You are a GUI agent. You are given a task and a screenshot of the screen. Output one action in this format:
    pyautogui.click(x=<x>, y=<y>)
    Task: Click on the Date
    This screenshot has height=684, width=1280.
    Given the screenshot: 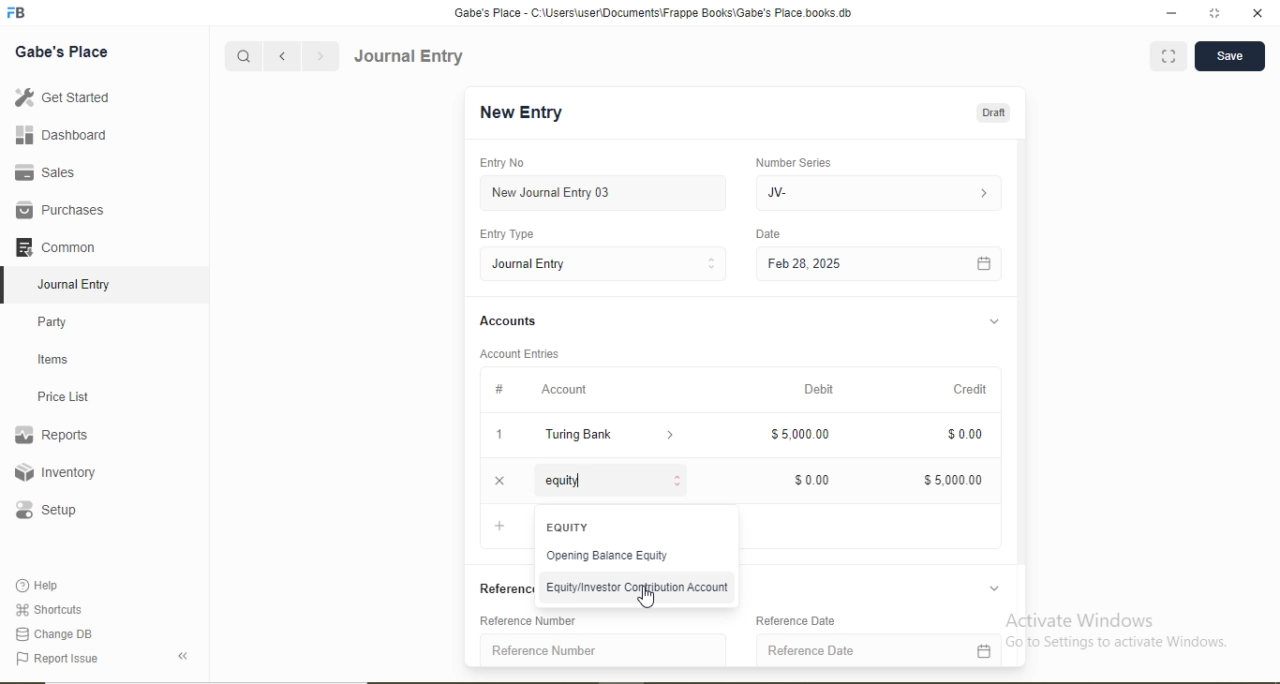 What is the action you would take?
    pyautogui.click(x=767, y=233)
    